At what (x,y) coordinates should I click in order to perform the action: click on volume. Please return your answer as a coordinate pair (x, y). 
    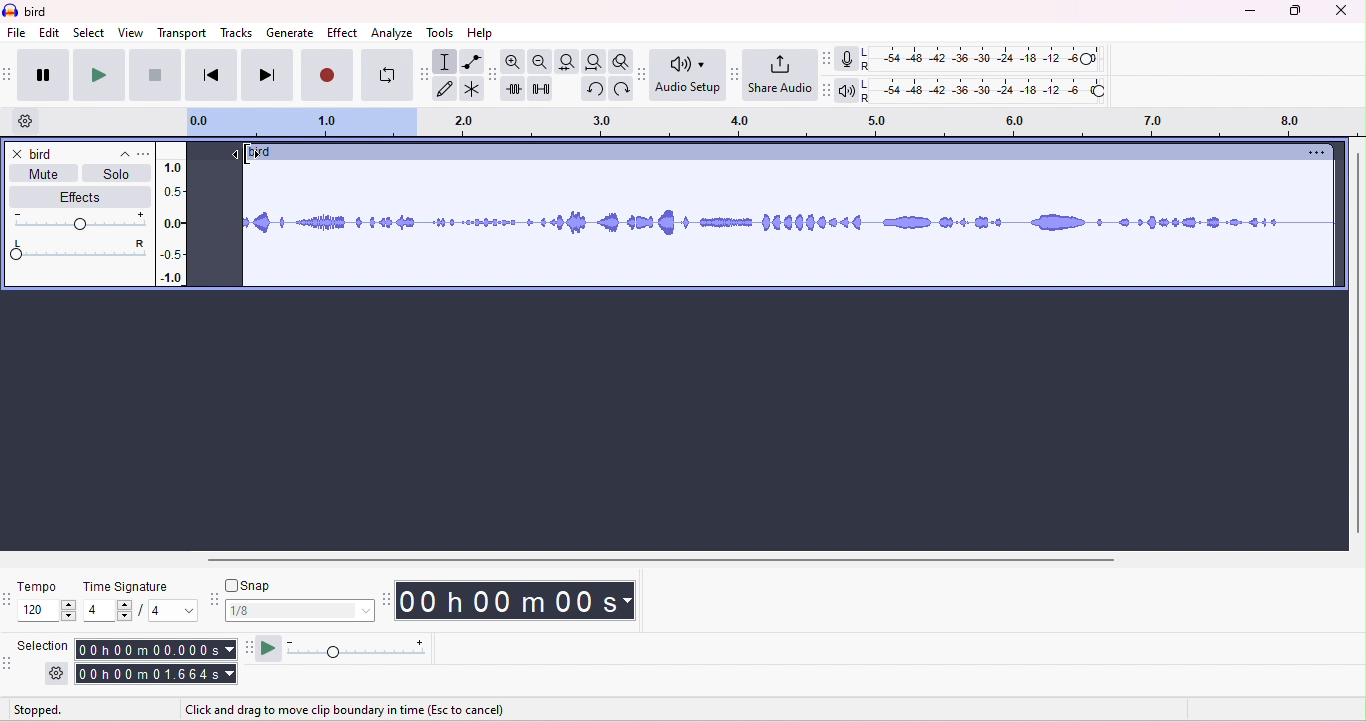
    Looking at the image, I should click on (79, 221).